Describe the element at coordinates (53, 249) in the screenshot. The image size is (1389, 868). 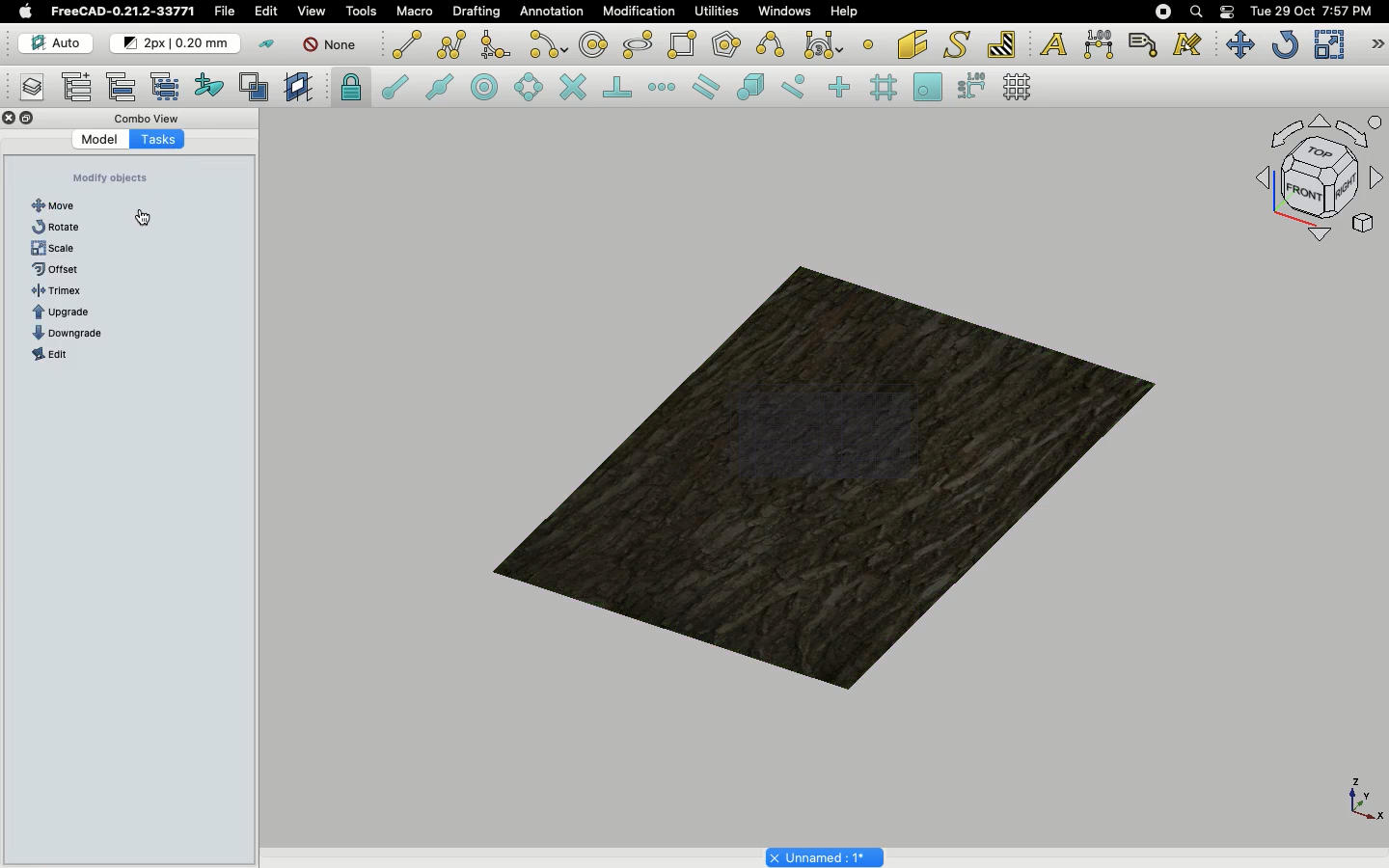
I see `Scale` at that location.